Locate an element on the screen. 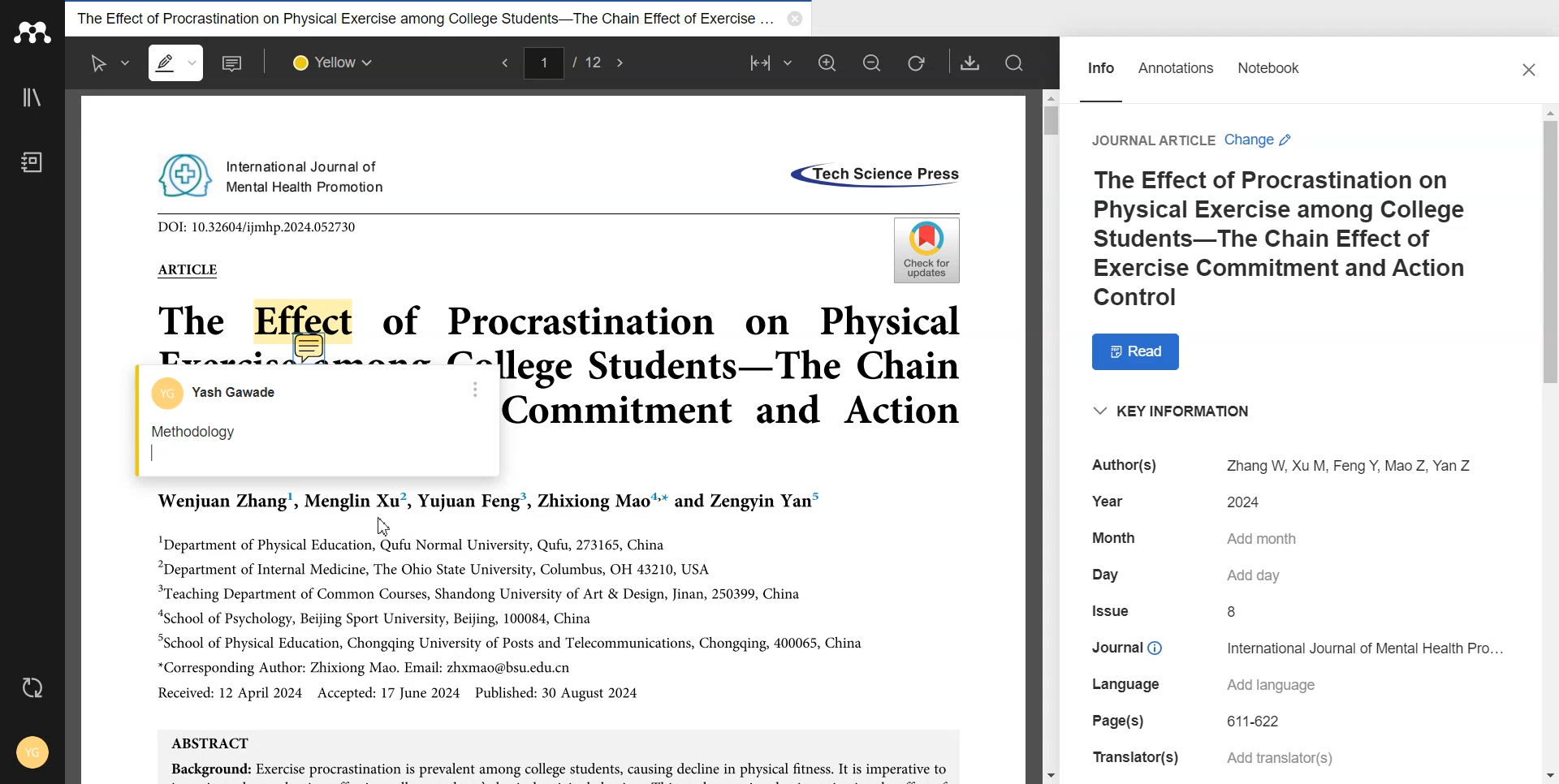  Library is located at coordinates (32, 97).